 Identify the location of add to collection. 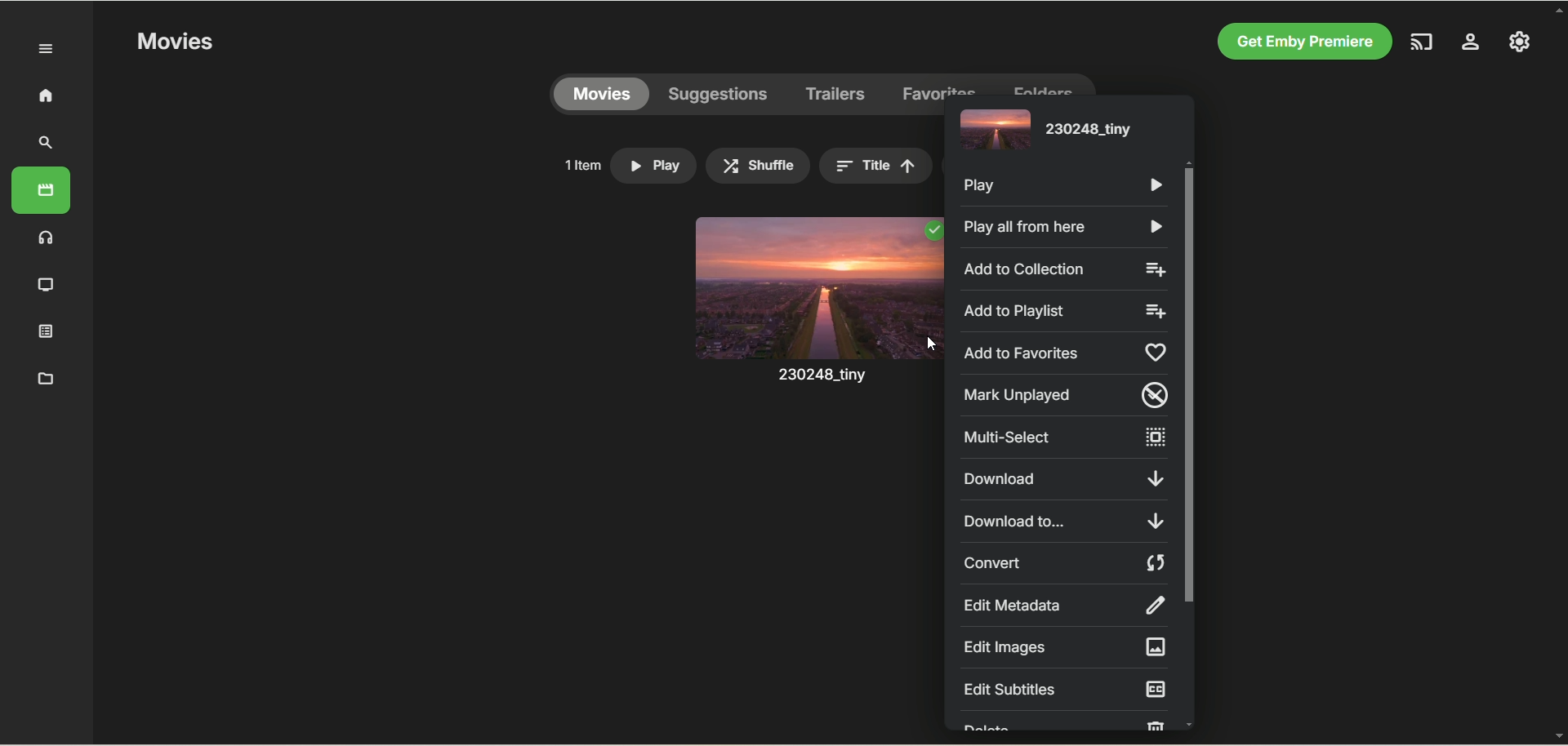
(1065, 269).